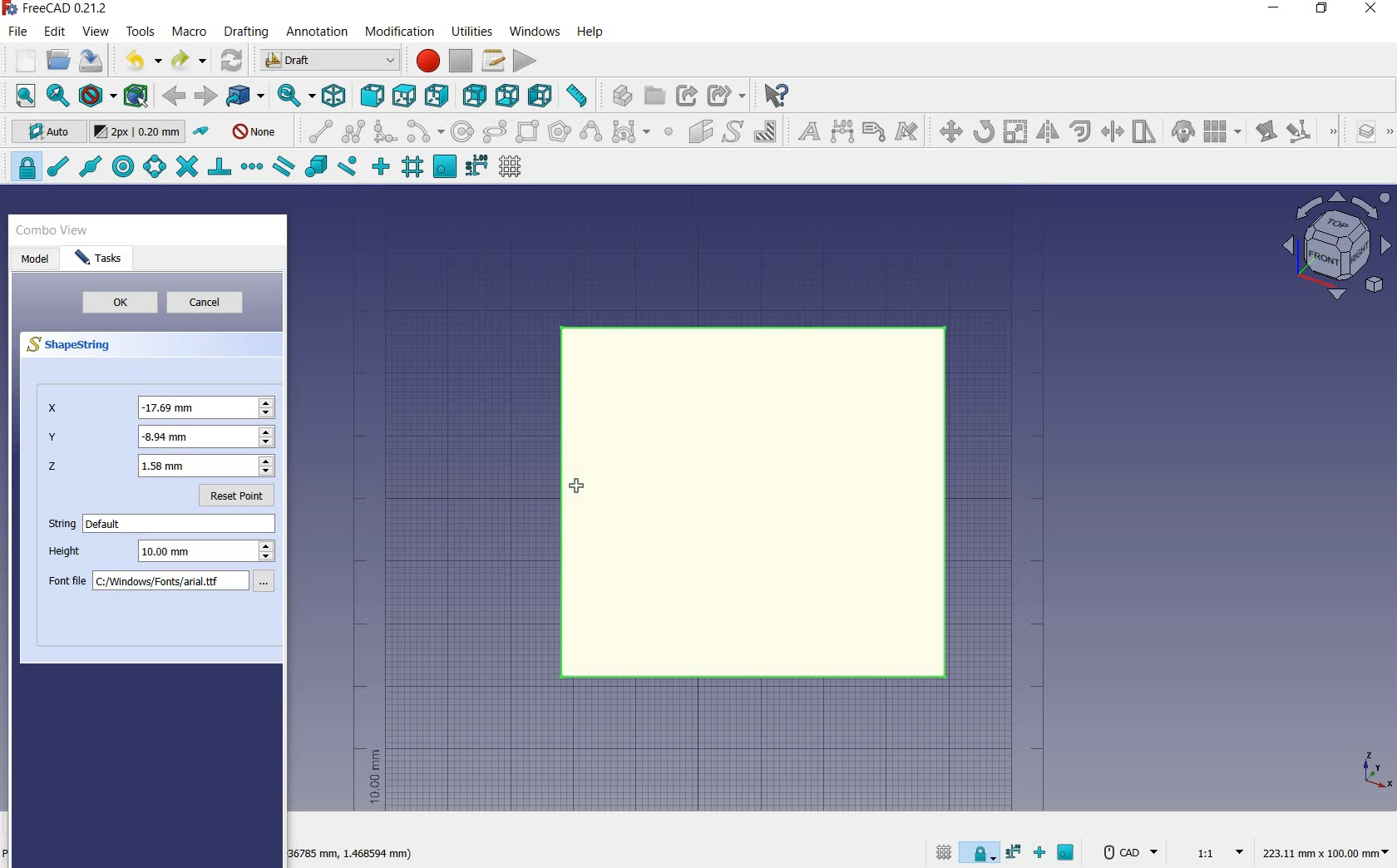 The height and width of the screenshot is (868, 1397). Describe the element at coordinates (1388, 133) in the screenshot. I see `draft utility tools` at that location.